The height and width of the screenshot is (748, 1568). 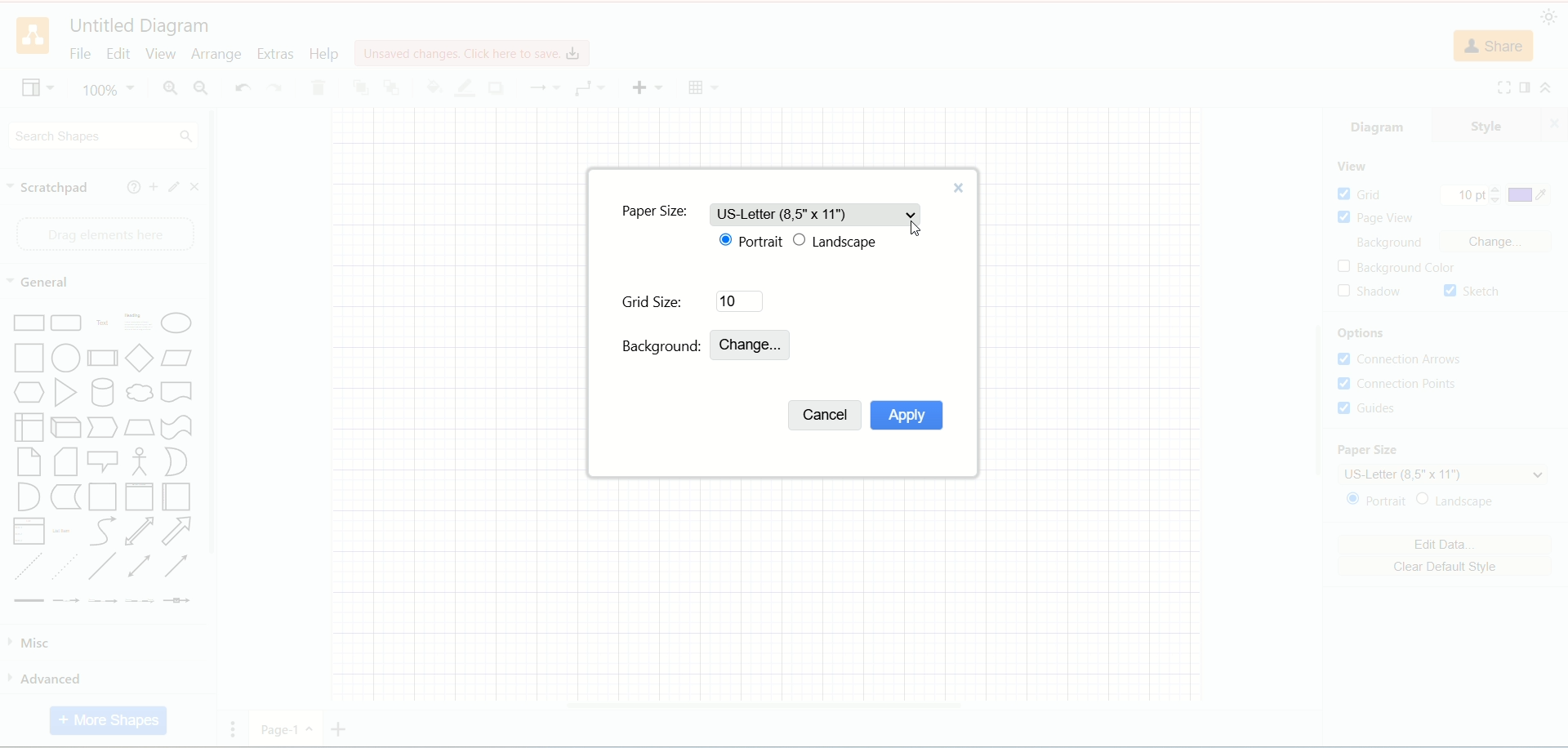 What do you see at coordinates (104, 394) in the screenshot?
I see `Cylinder` at bounding box center [104, 394].